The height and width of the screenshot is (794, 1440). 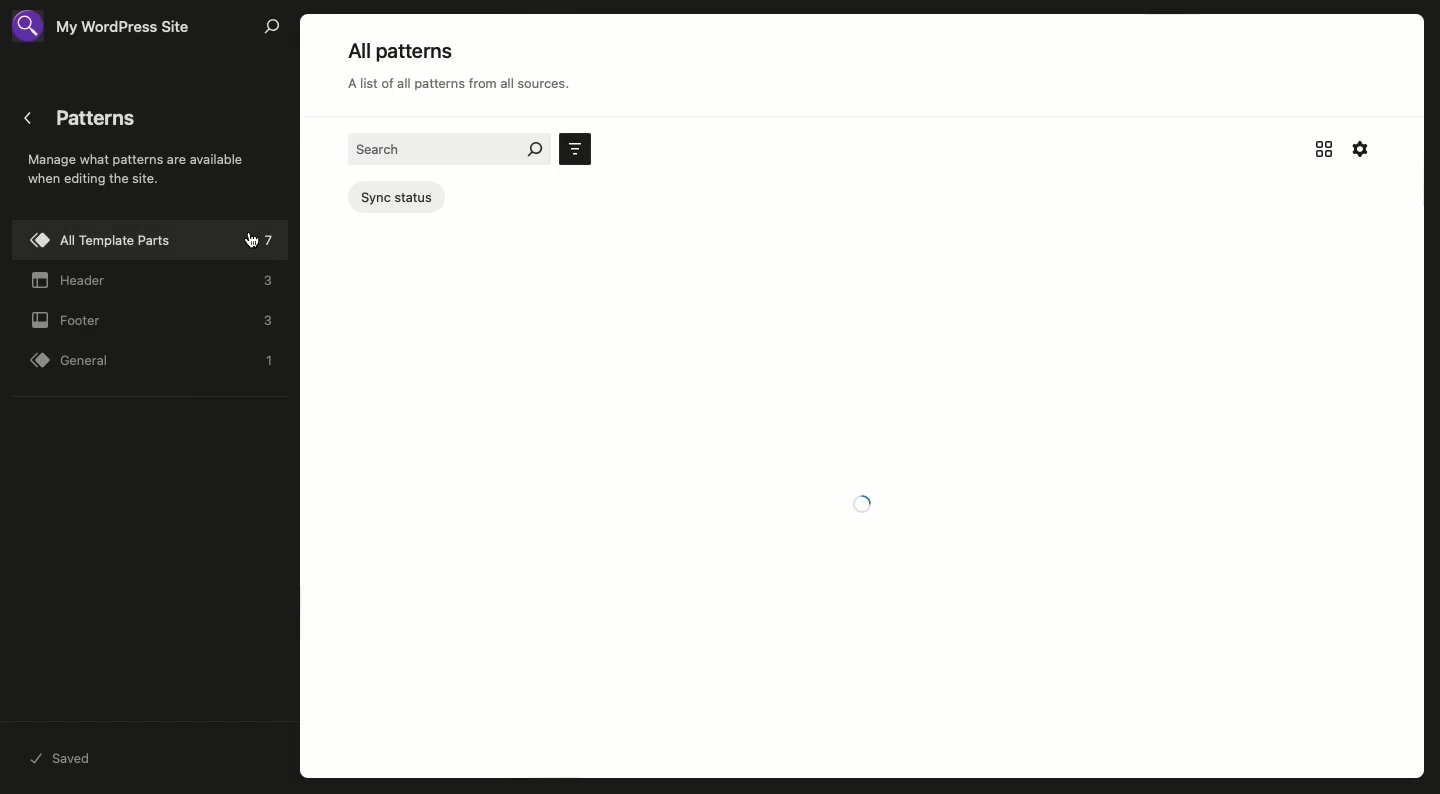 What do you see at coordinates (105, 121) in the screenshot?
I see `Patterns` at bounding box center [105, 121].